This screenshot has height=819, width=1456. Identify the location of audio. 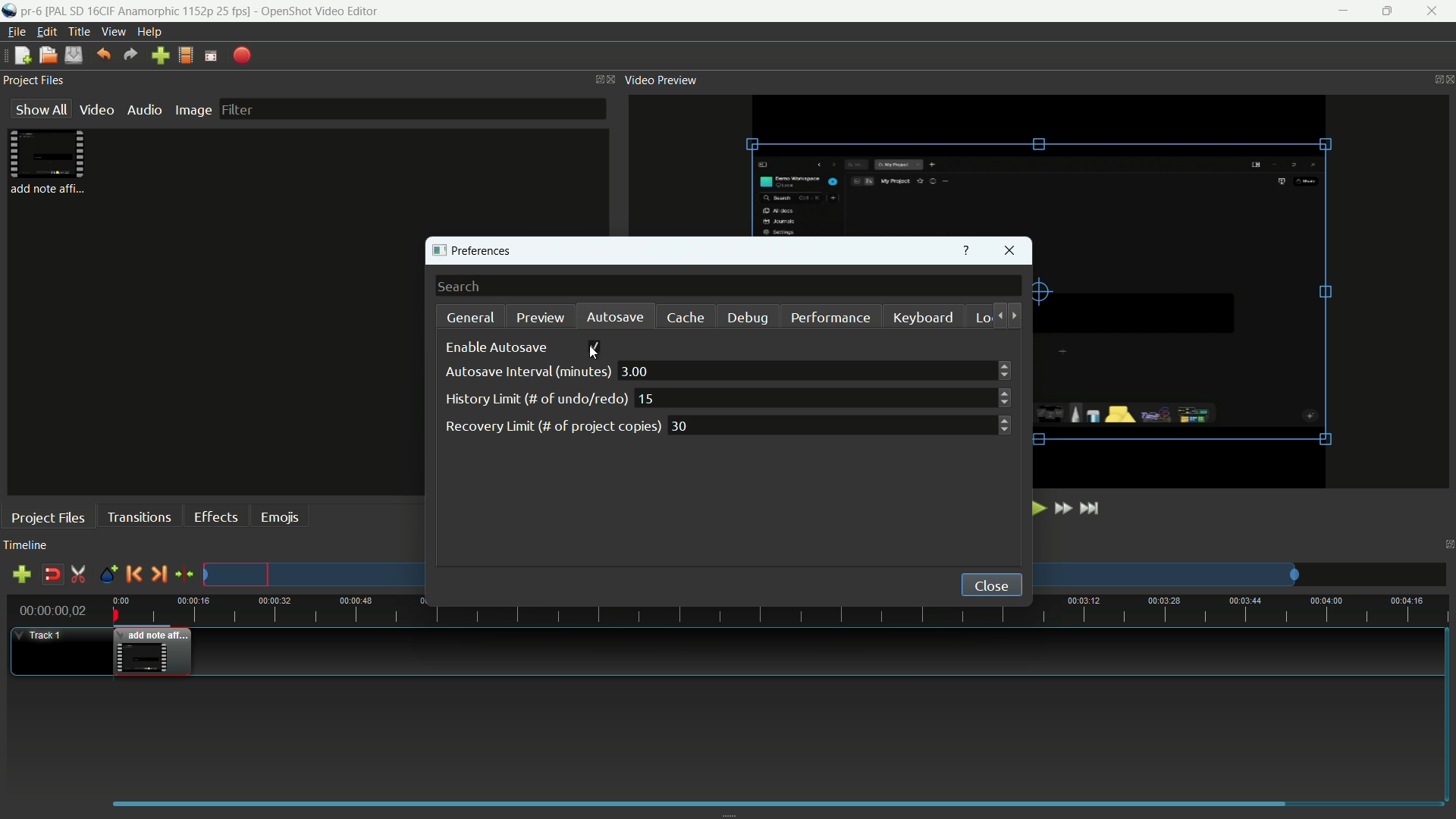
(145, 109).